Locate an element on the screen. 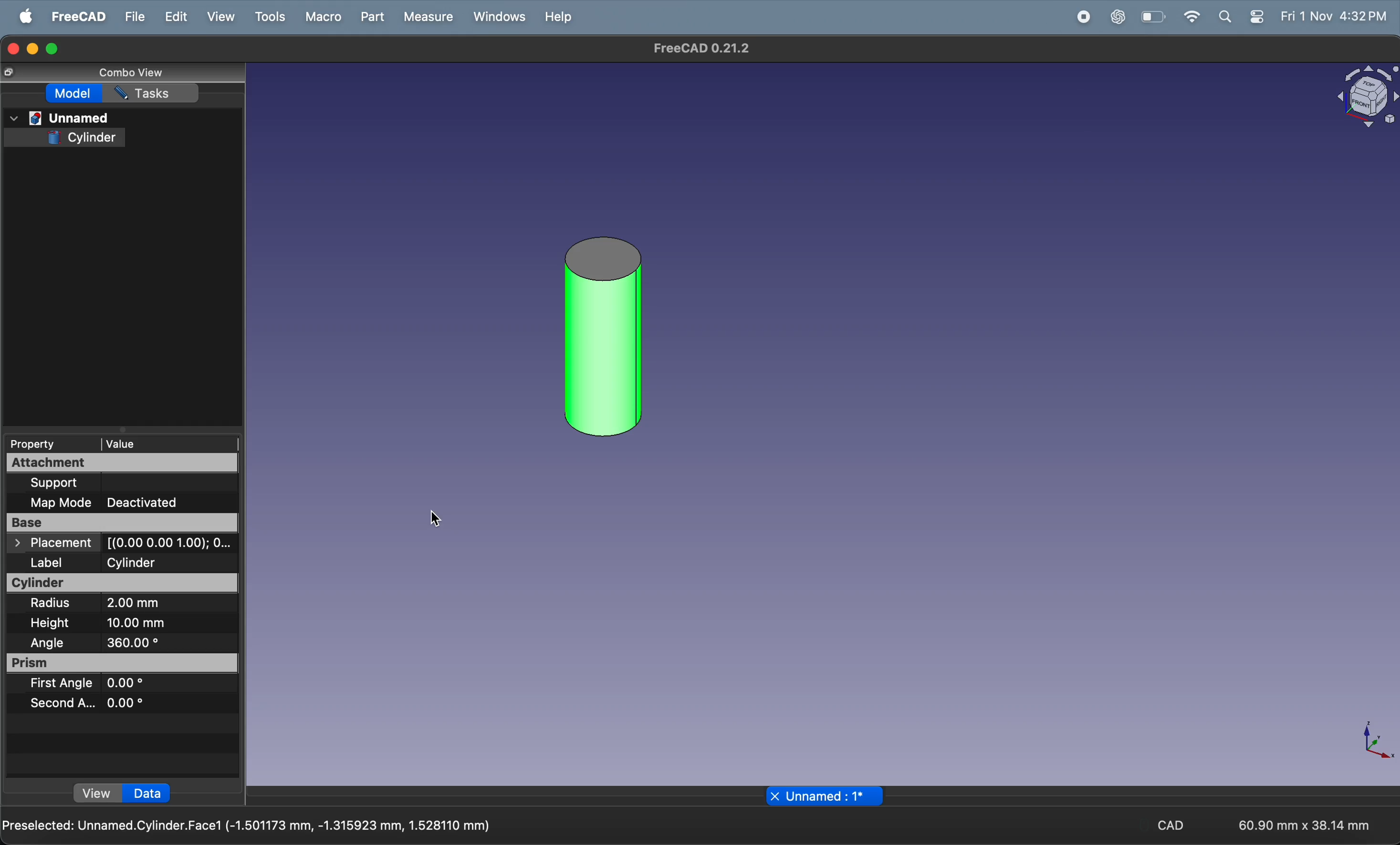 The width and height of the screenshot is (1400, 845). 360.00° is located at coordinates (163, 642).